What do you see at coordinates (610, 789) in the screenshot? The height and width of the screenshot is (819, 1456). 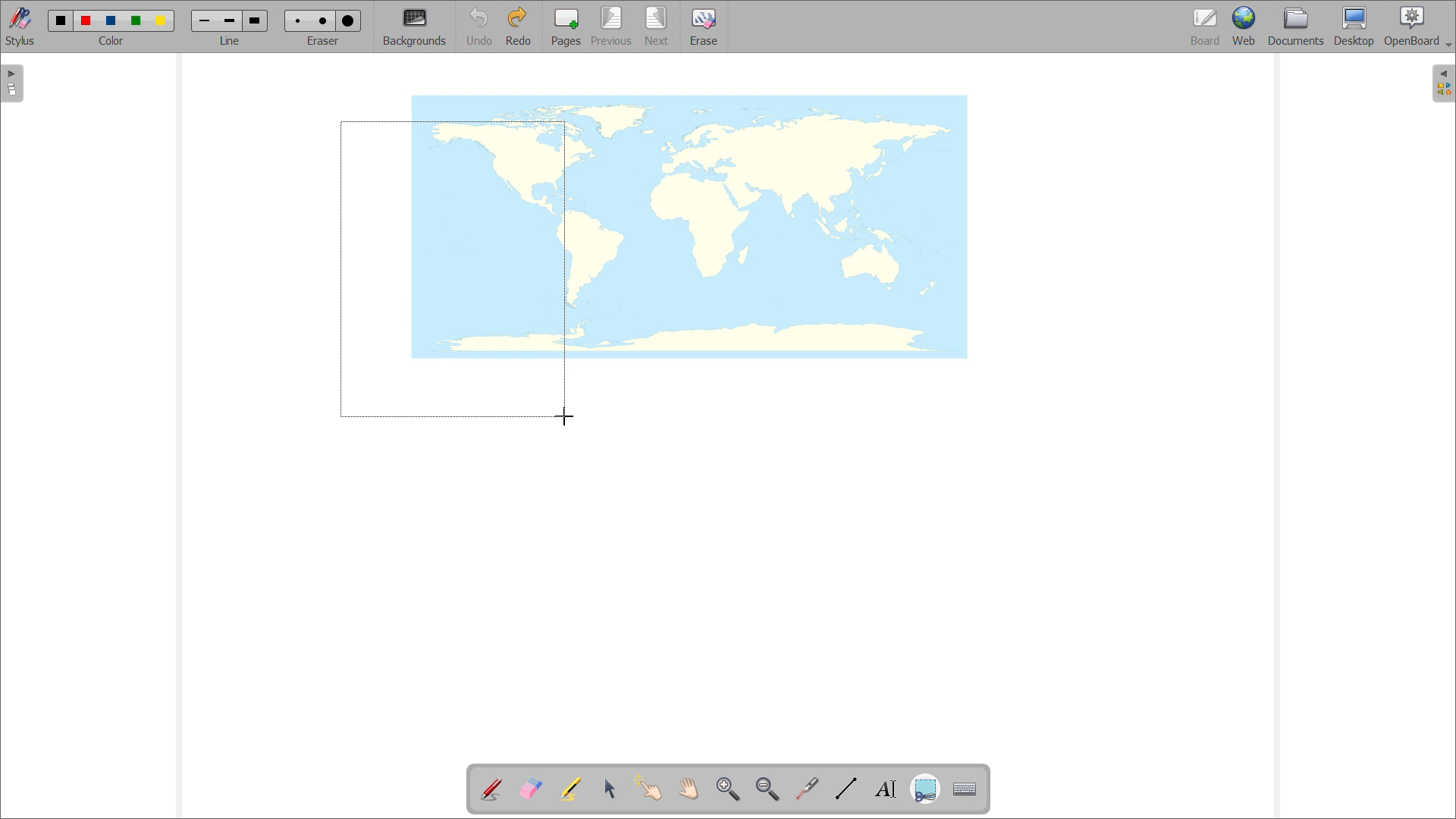 I see `select and modify objects` at bounding box center [610, 789].